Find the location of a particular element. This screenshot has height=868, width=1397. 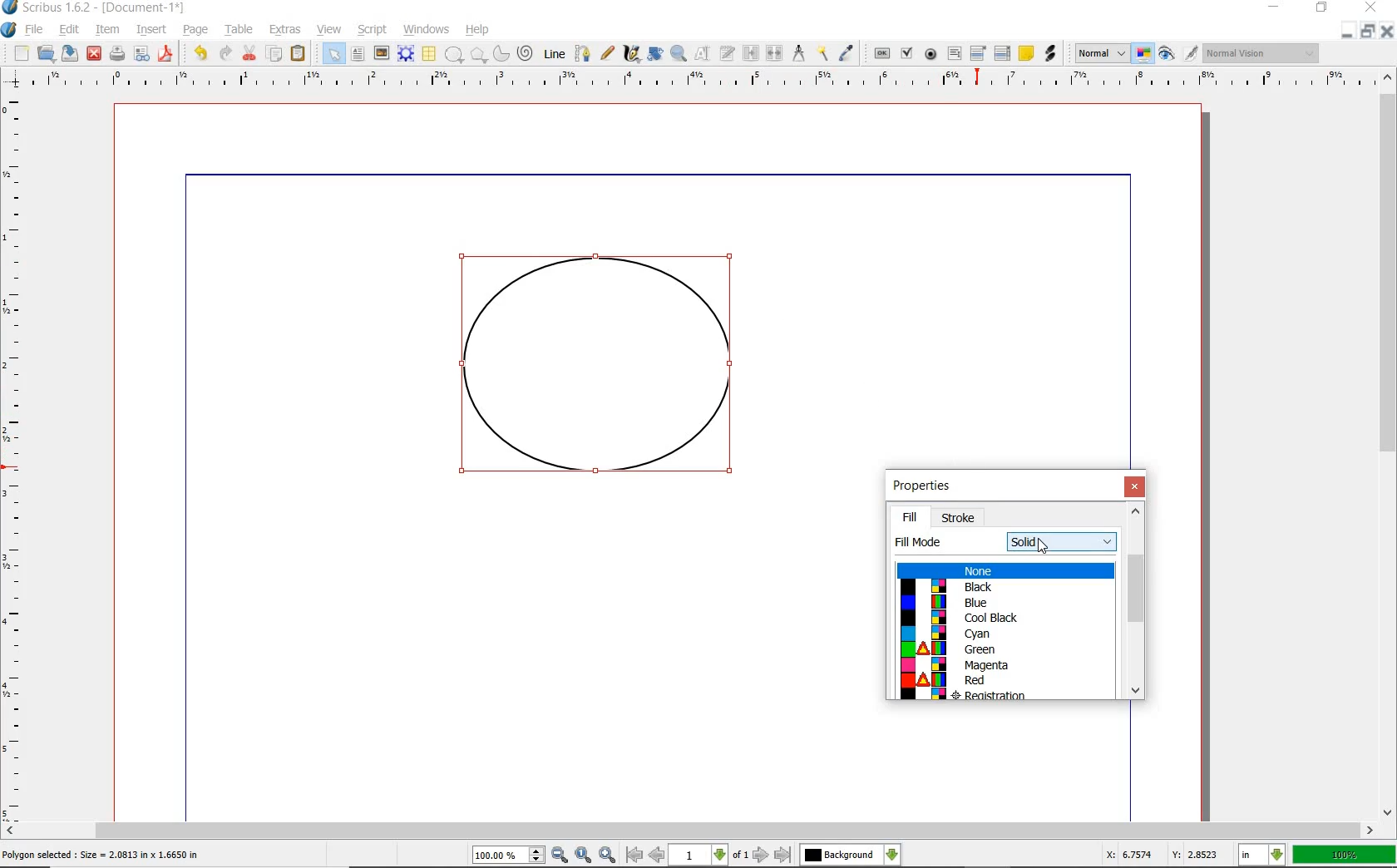

CLOSE is located at coordinates (1369, 7).